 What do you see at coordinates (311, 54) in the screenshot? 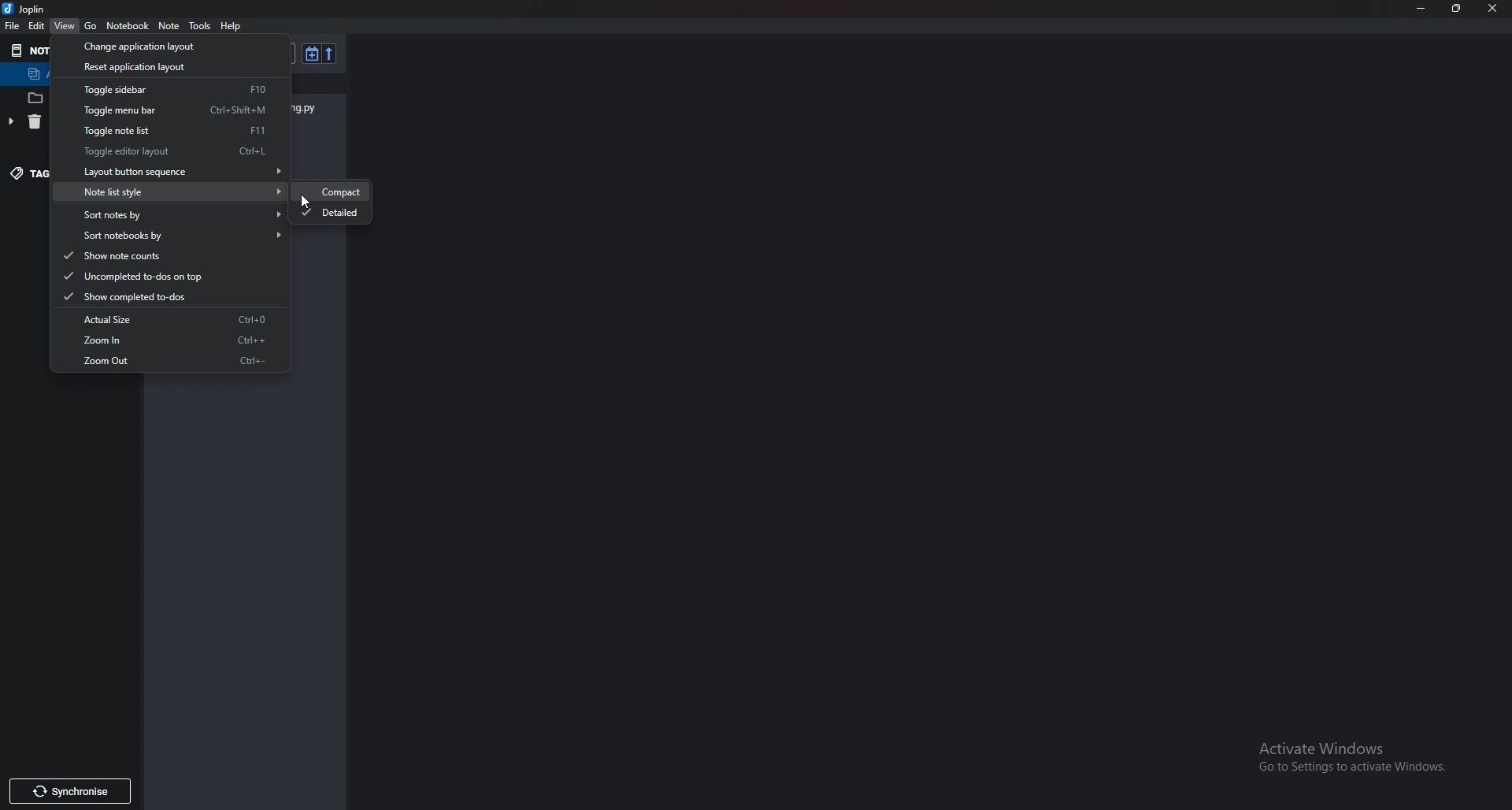
I see `toggle sort order` at bounding box center [311, 54].